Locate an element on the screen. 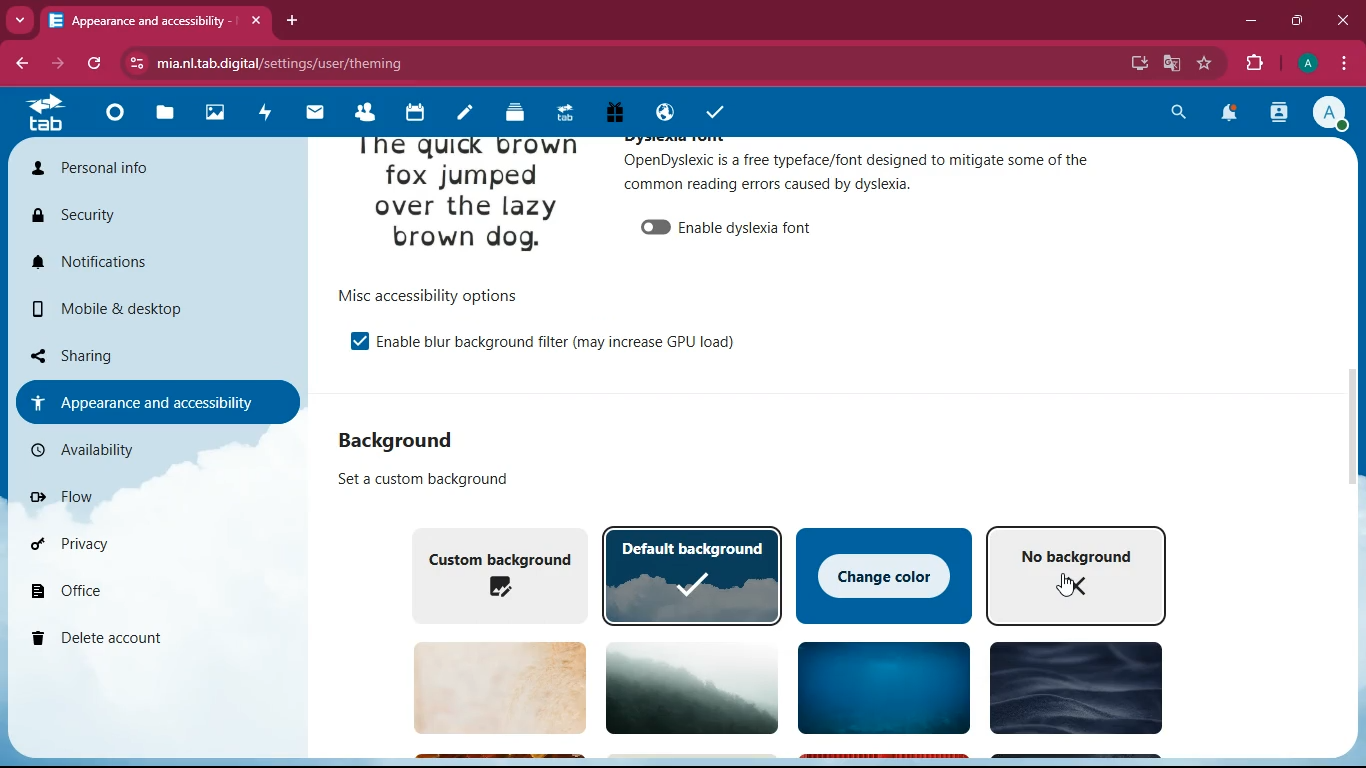 This screenshot has width=1366, height=768. background is located at coordinates (1072, 691).